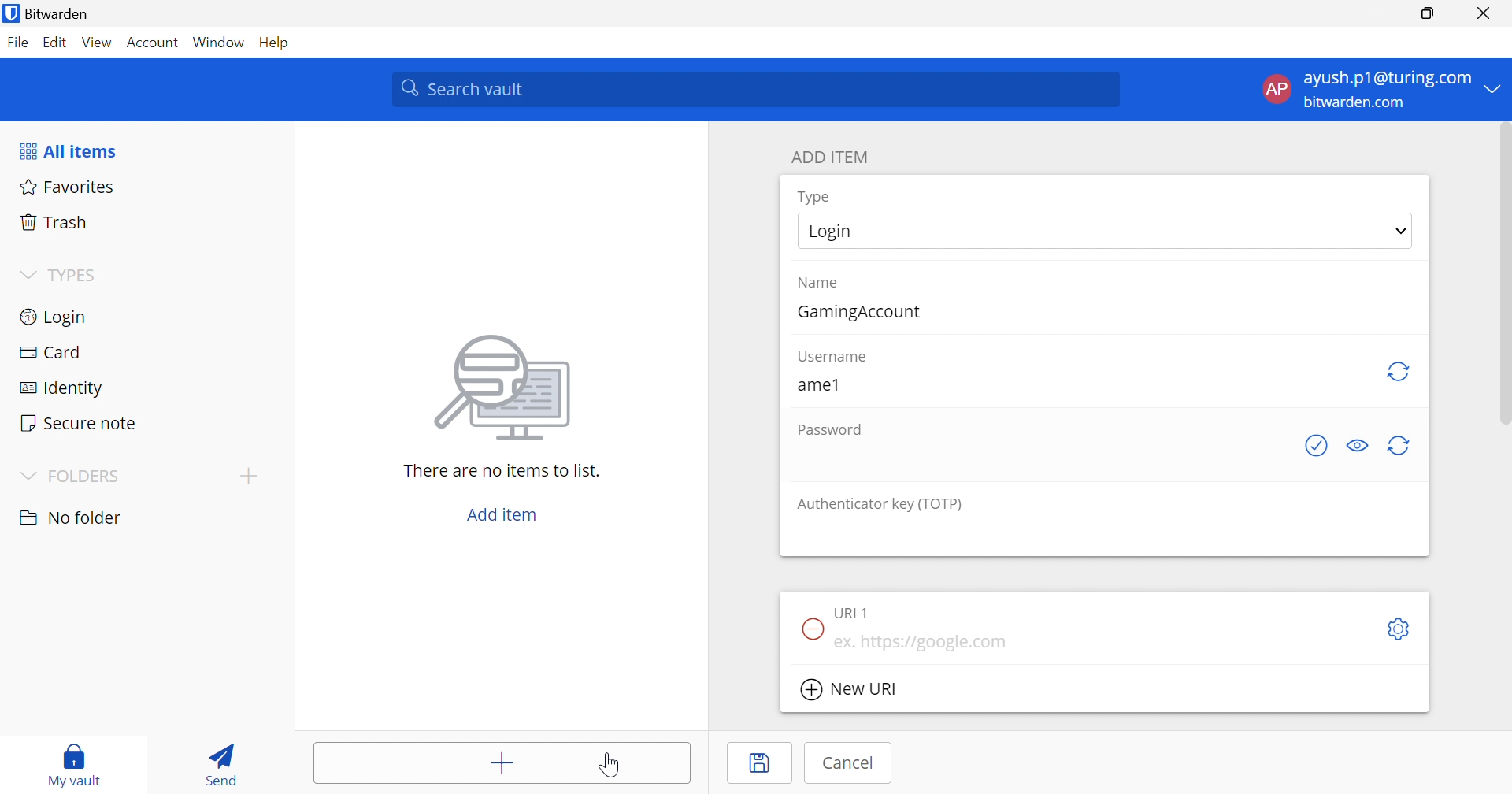 The image size is (1512, 794). I want to click on Close, so click(1486, 15).